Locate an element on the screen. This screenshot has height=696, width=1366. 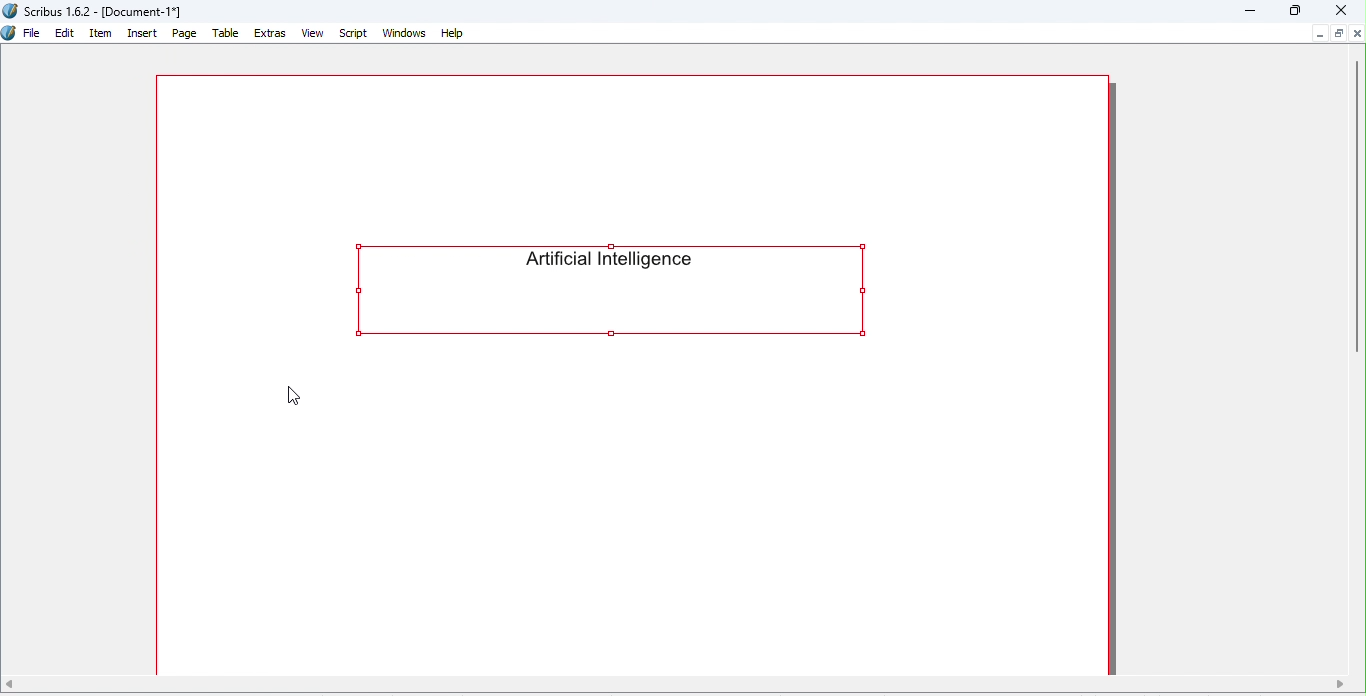
Windows is located at coordinates (405, 33).